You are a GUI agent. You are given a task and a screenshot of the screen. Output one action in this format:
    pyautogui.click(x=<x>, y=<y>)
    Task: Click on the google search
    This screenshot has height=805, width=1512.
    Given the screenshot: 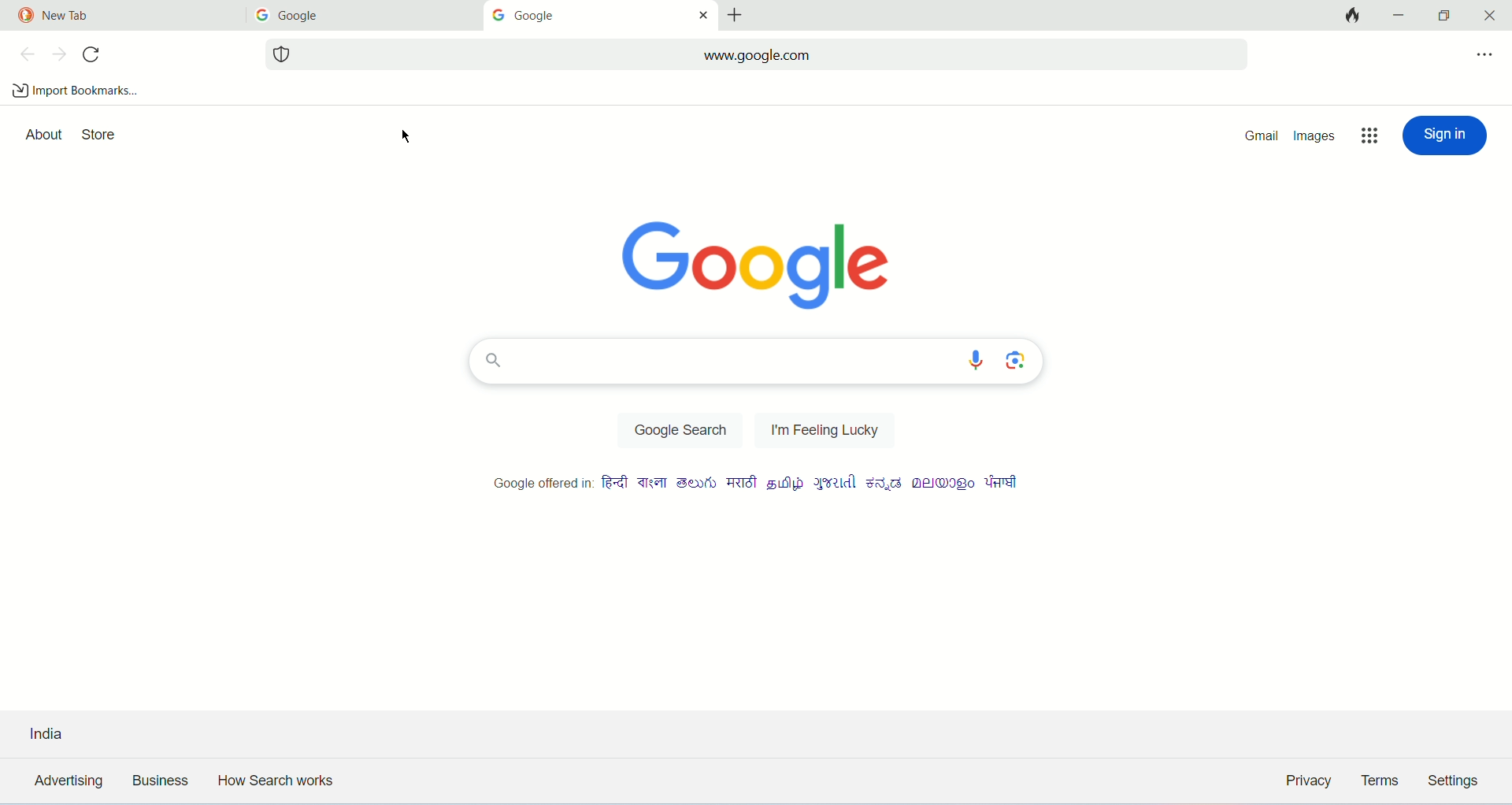 What is the action you would take?
    pyautogui.click(x=679, y=427)
    